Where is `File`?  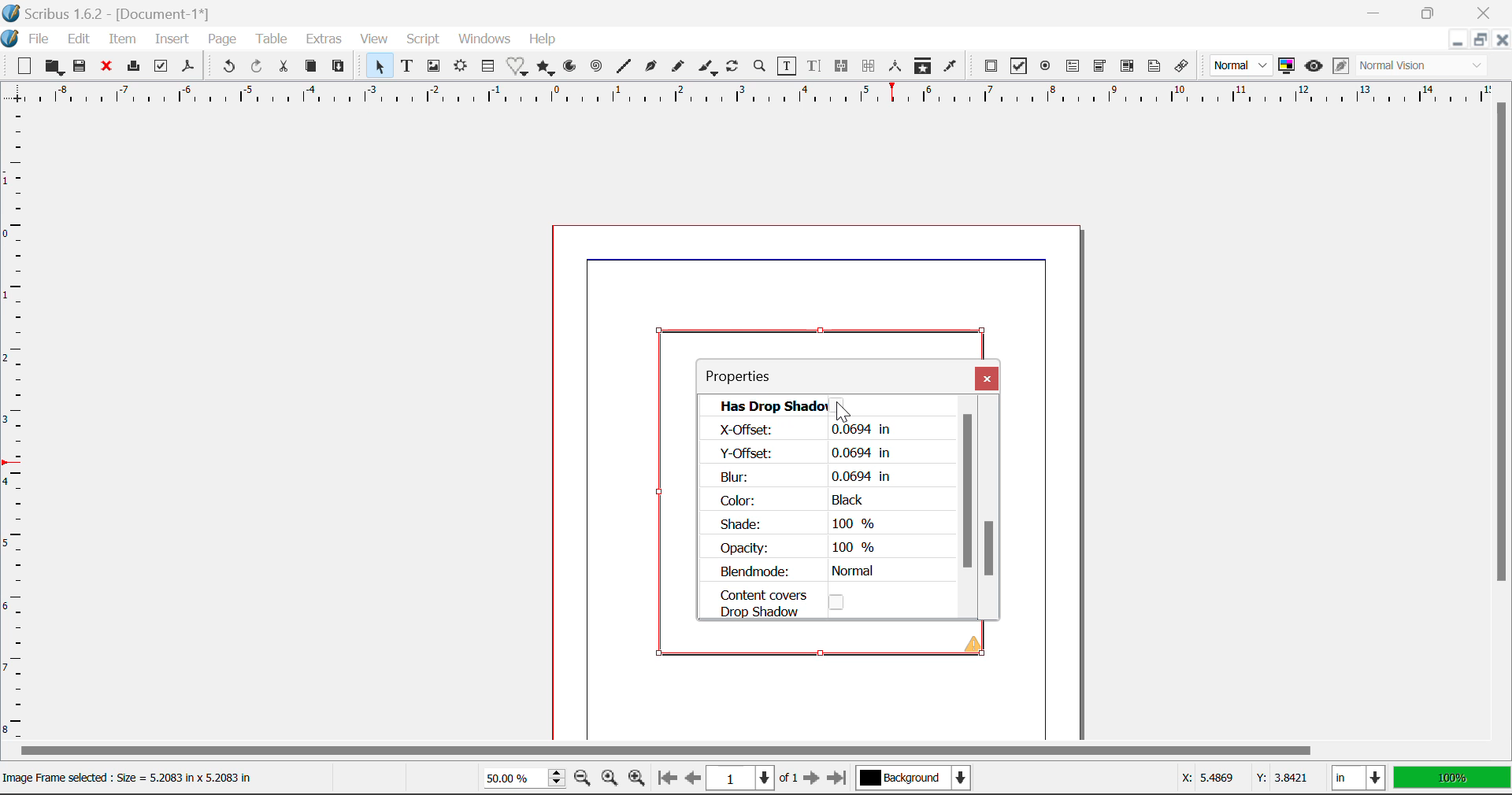 File is located at coordinates (39, 39).